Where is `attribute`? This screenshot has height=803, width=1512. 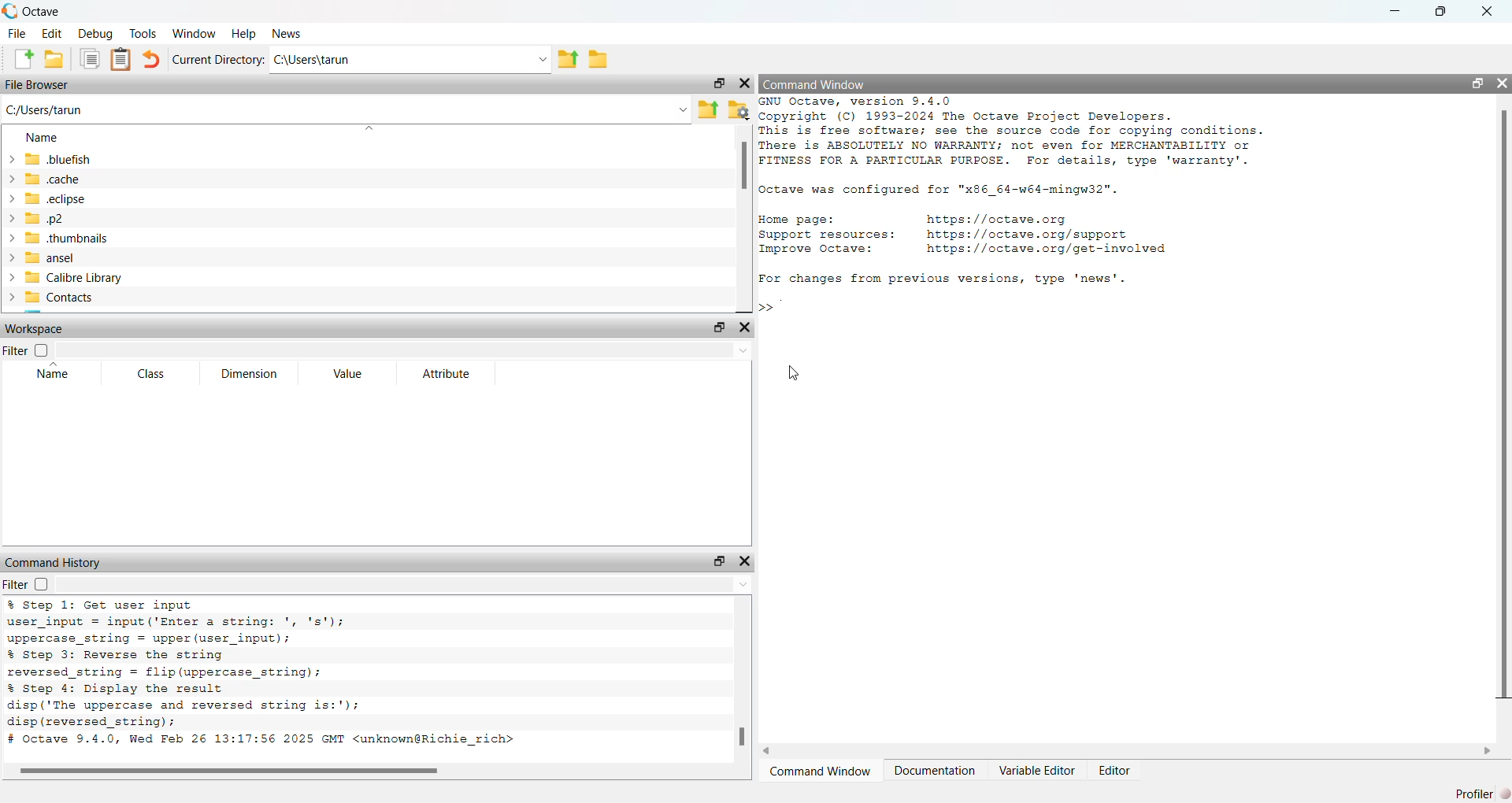
attribute is located at coordinates (447, 375).